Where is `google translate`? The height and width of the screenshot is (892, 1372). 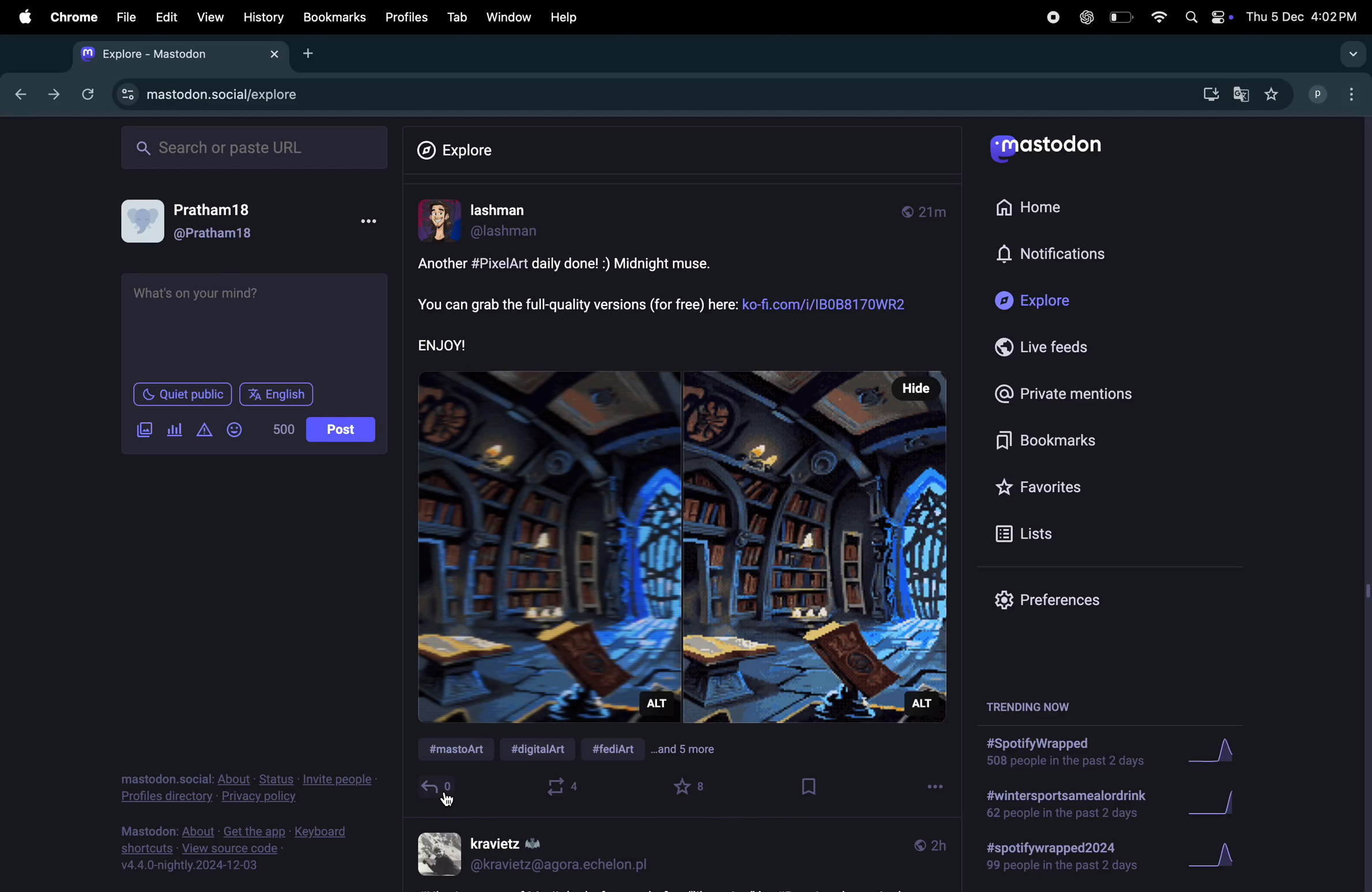
google translate is located at coordinates (1240, 95).